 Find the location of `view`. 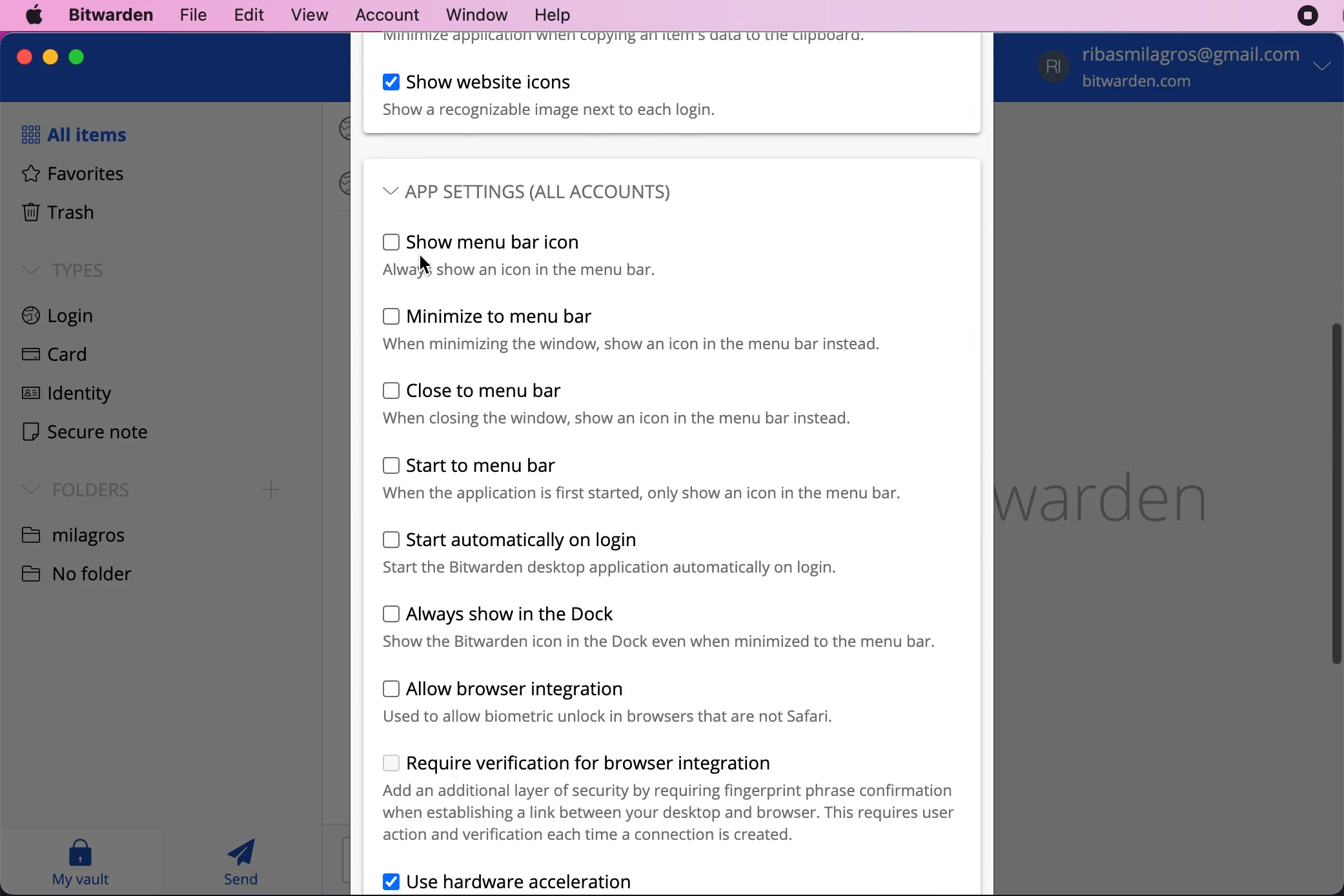

view is located at coordinates (303, 15).